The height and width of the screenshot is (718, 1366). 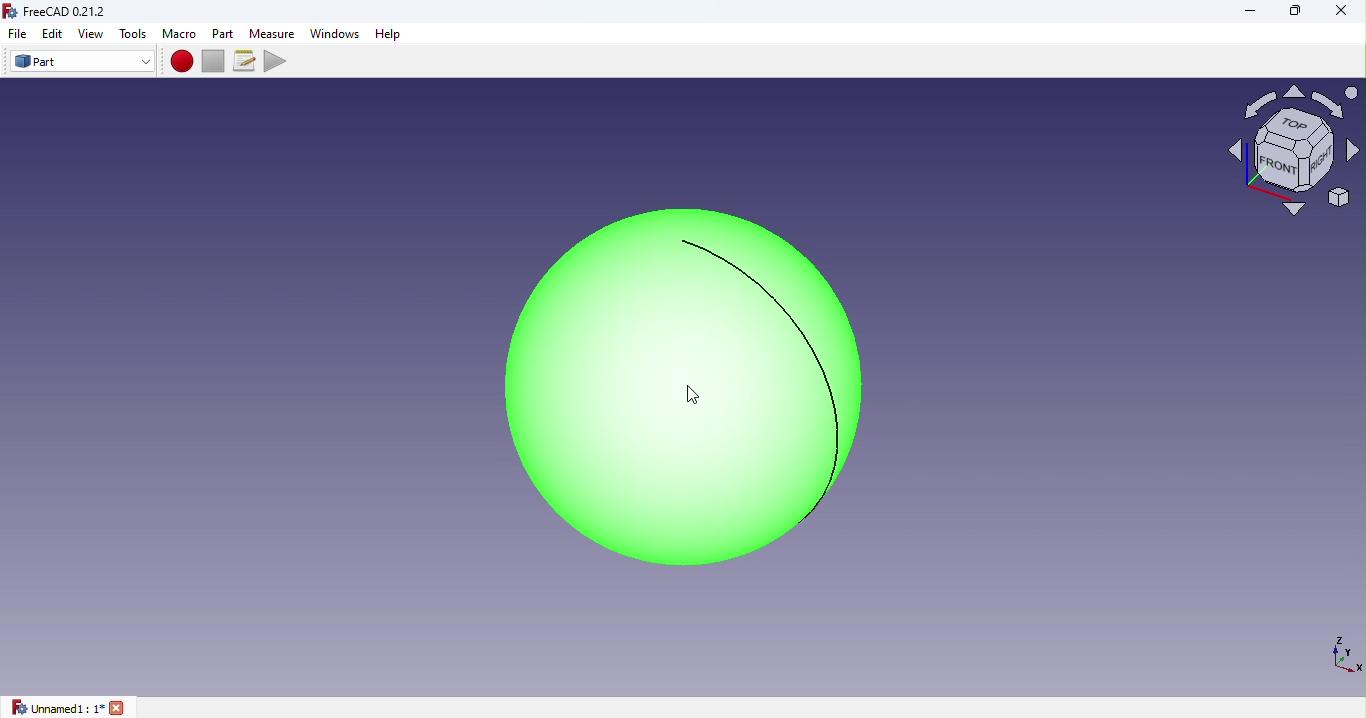 What do you see at coordinates (217, 60) in the screenshot?
I see `Stop Macro recording` at bounding box center [217, 60].